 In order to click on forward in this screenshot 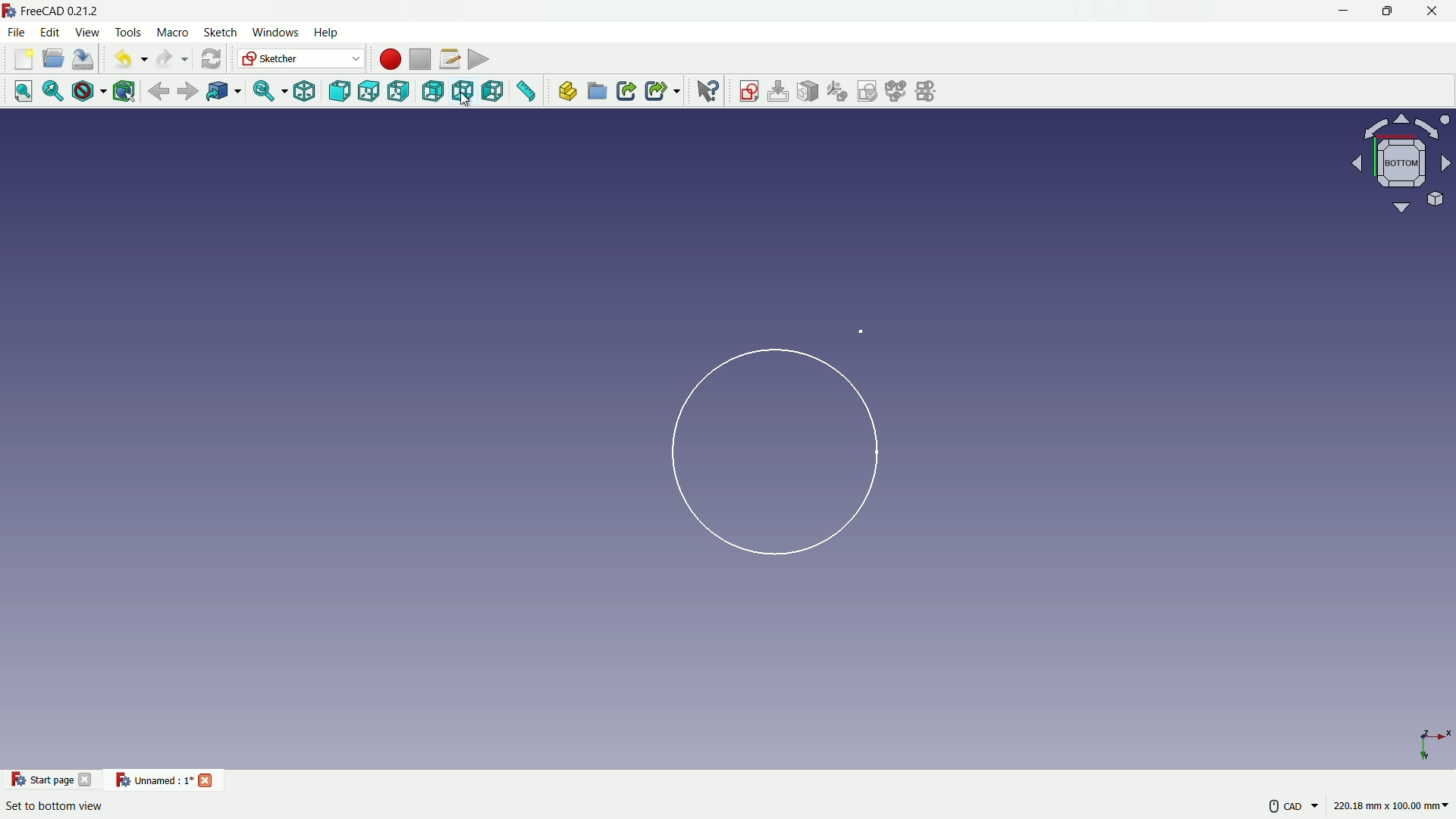, I will do `click(189, 91)`.